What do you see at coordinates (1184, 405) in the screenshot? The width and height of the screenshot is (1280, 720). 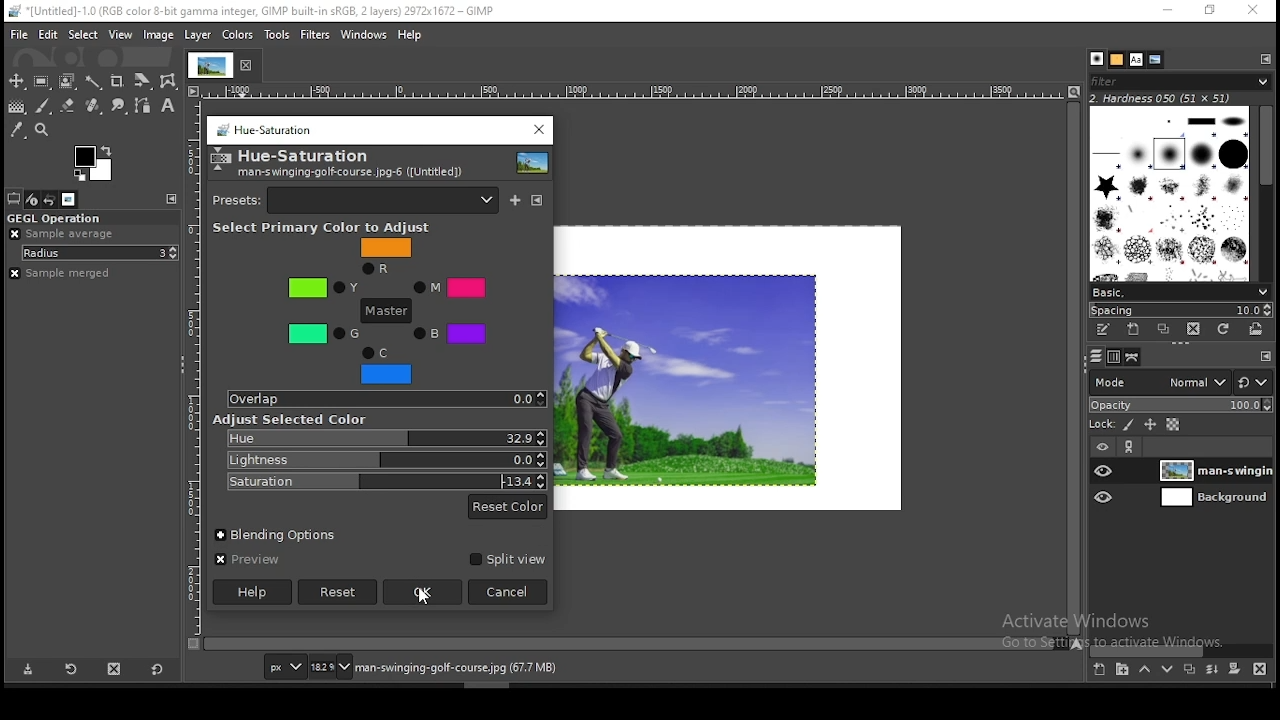 I see `opacity` at bounding box center [1184, 405].